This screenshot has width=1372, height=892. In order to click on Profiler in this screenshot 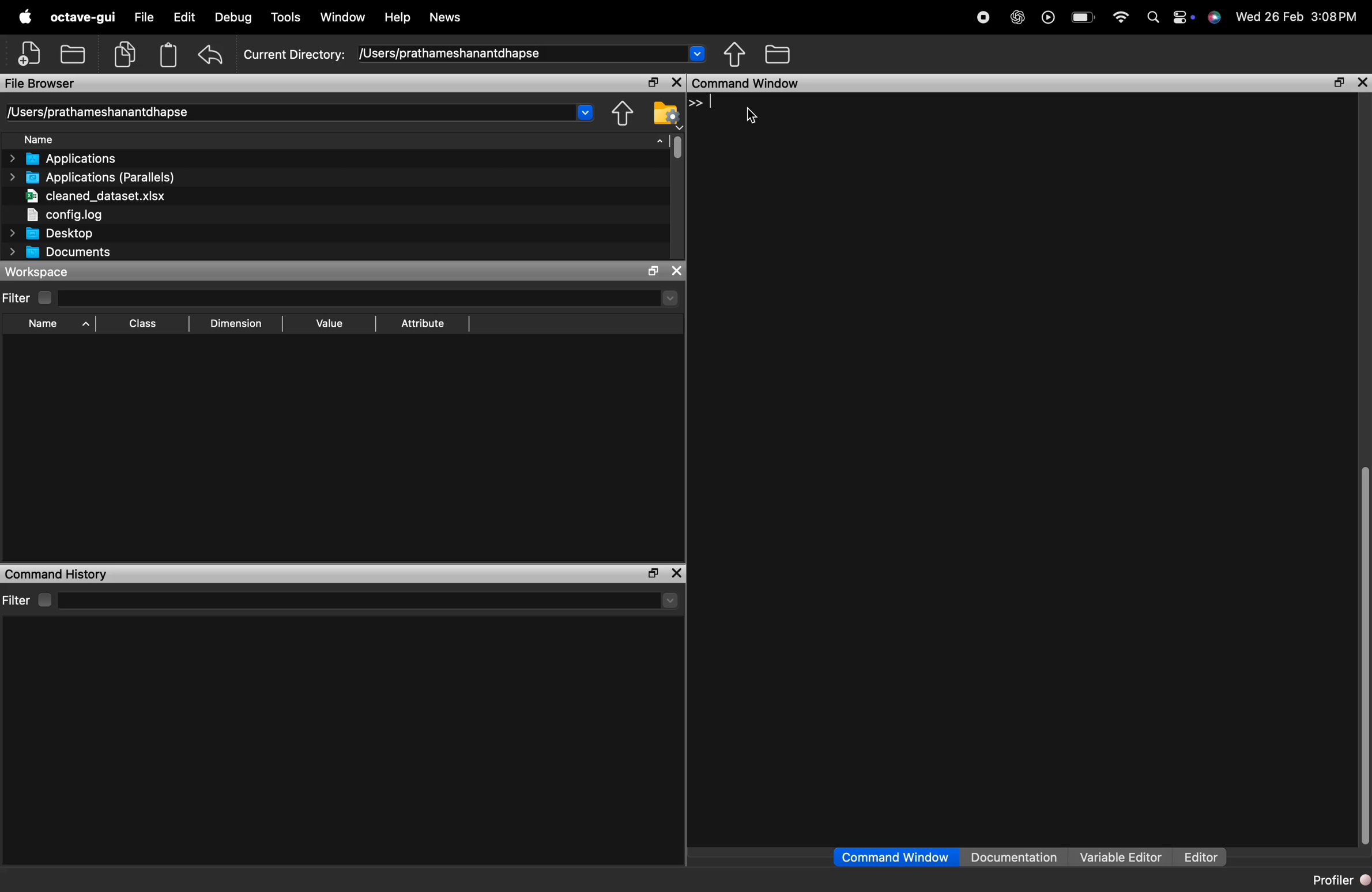, I will do `click(1337, 878)`.